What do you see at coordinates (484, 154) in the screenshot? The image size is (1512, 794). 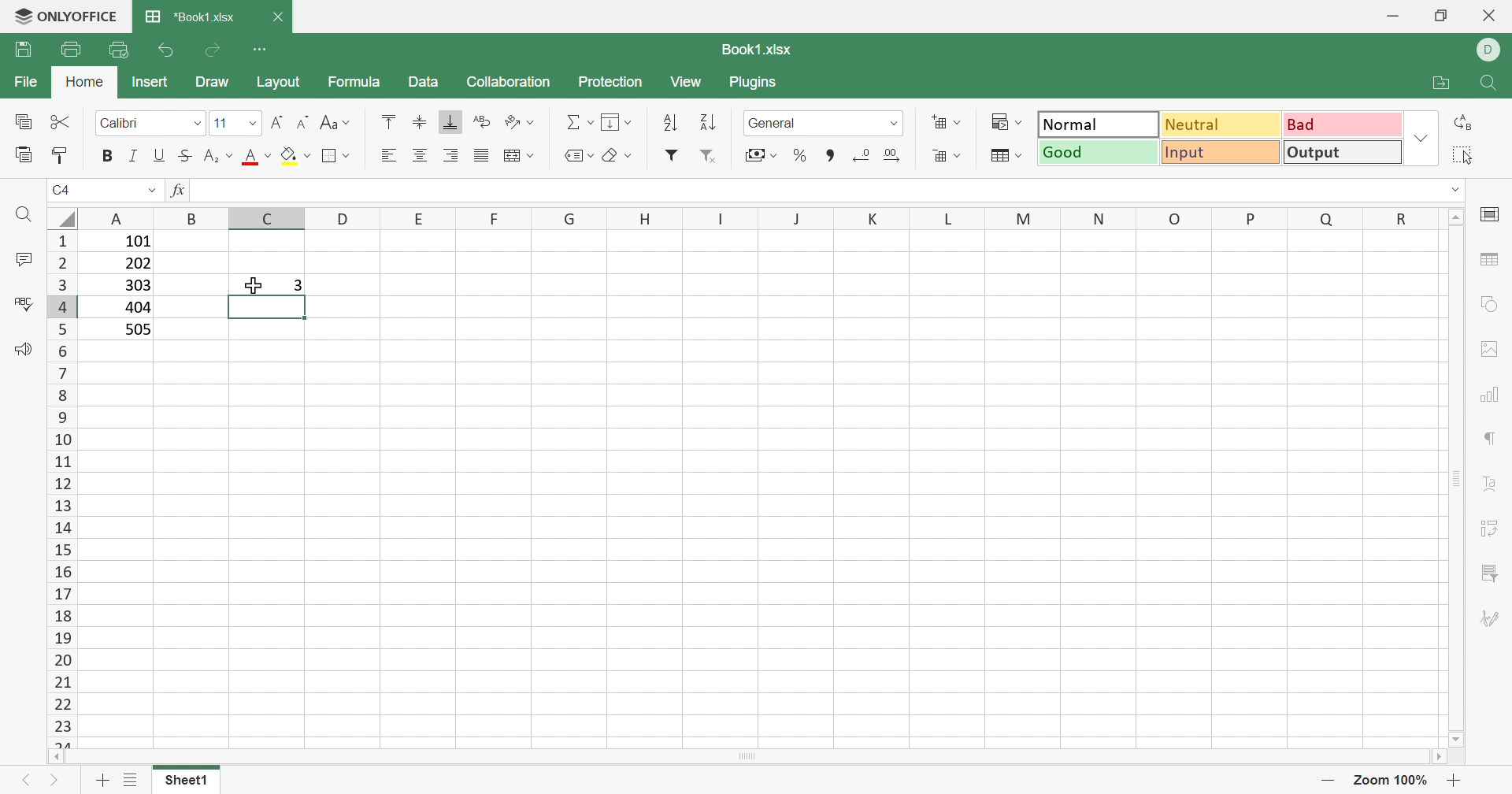 I see `Justified` at bounding box center [484, 154].